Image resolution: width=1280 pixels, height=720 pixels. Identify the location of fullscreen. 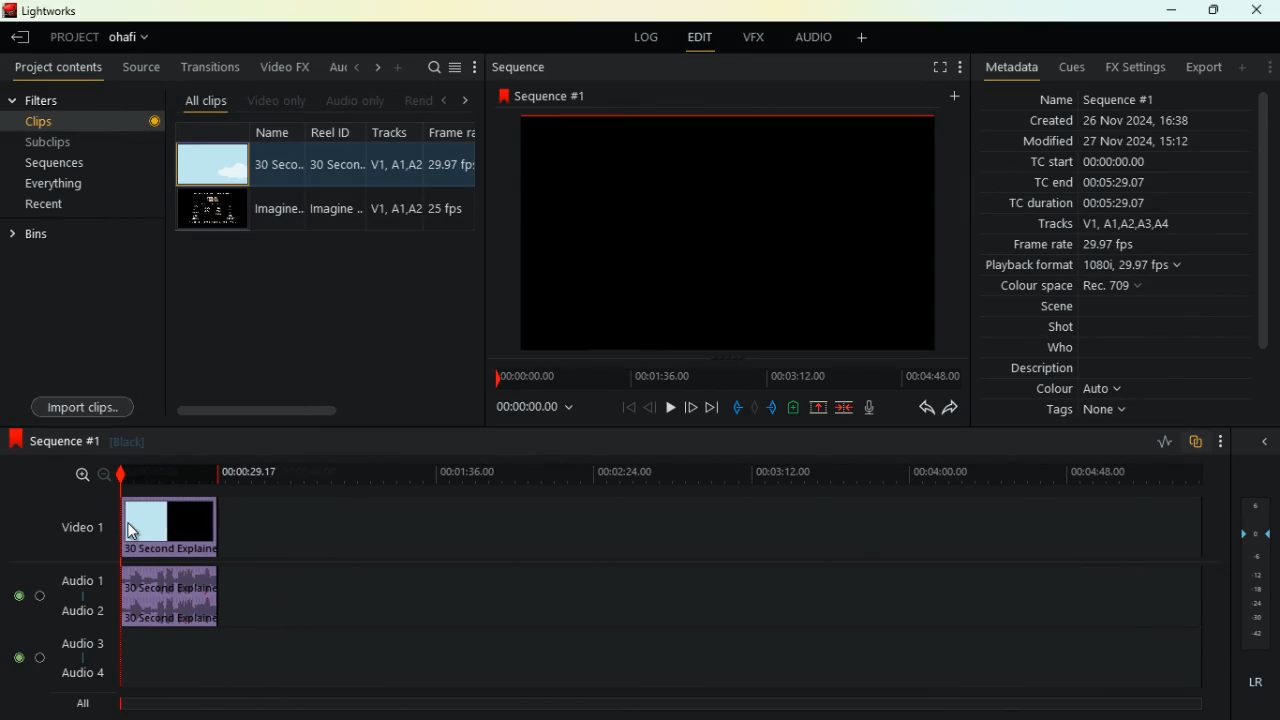
(930, 66).